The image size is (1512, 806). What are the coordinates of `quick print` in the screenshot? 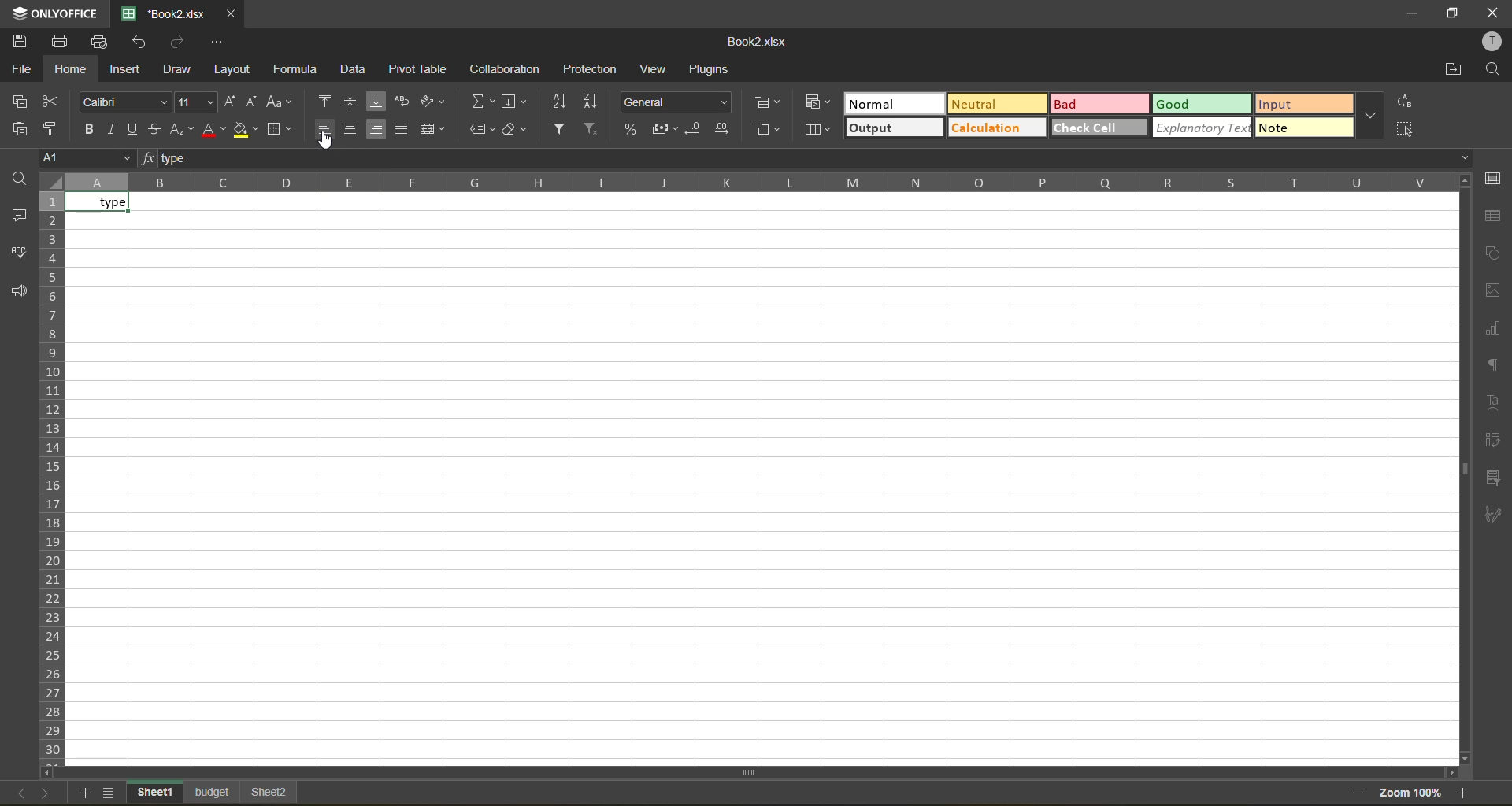 It's located at (99, 42).